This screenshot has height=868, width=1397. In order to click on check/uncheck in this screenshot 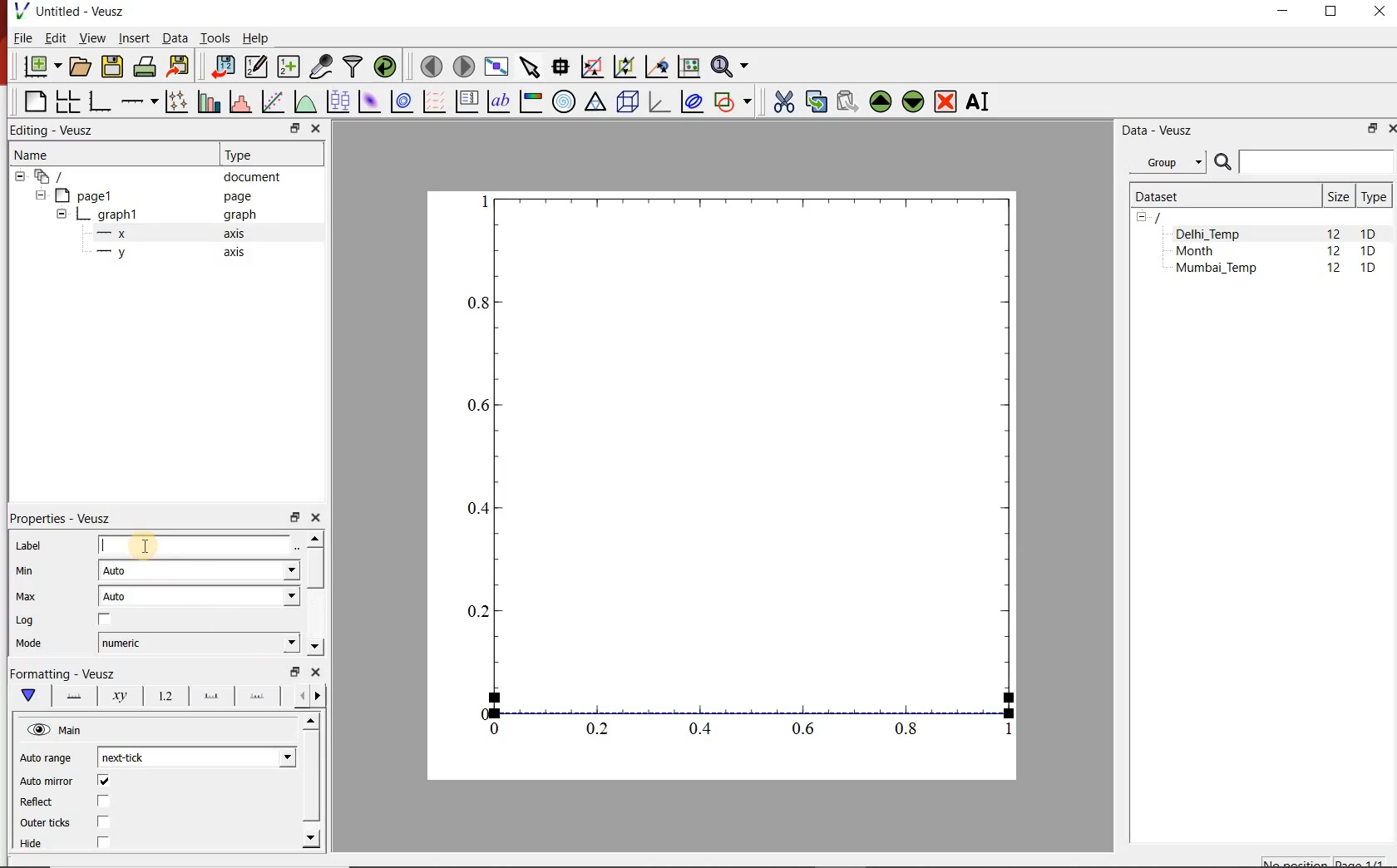, I will do `click(103, 821)`.